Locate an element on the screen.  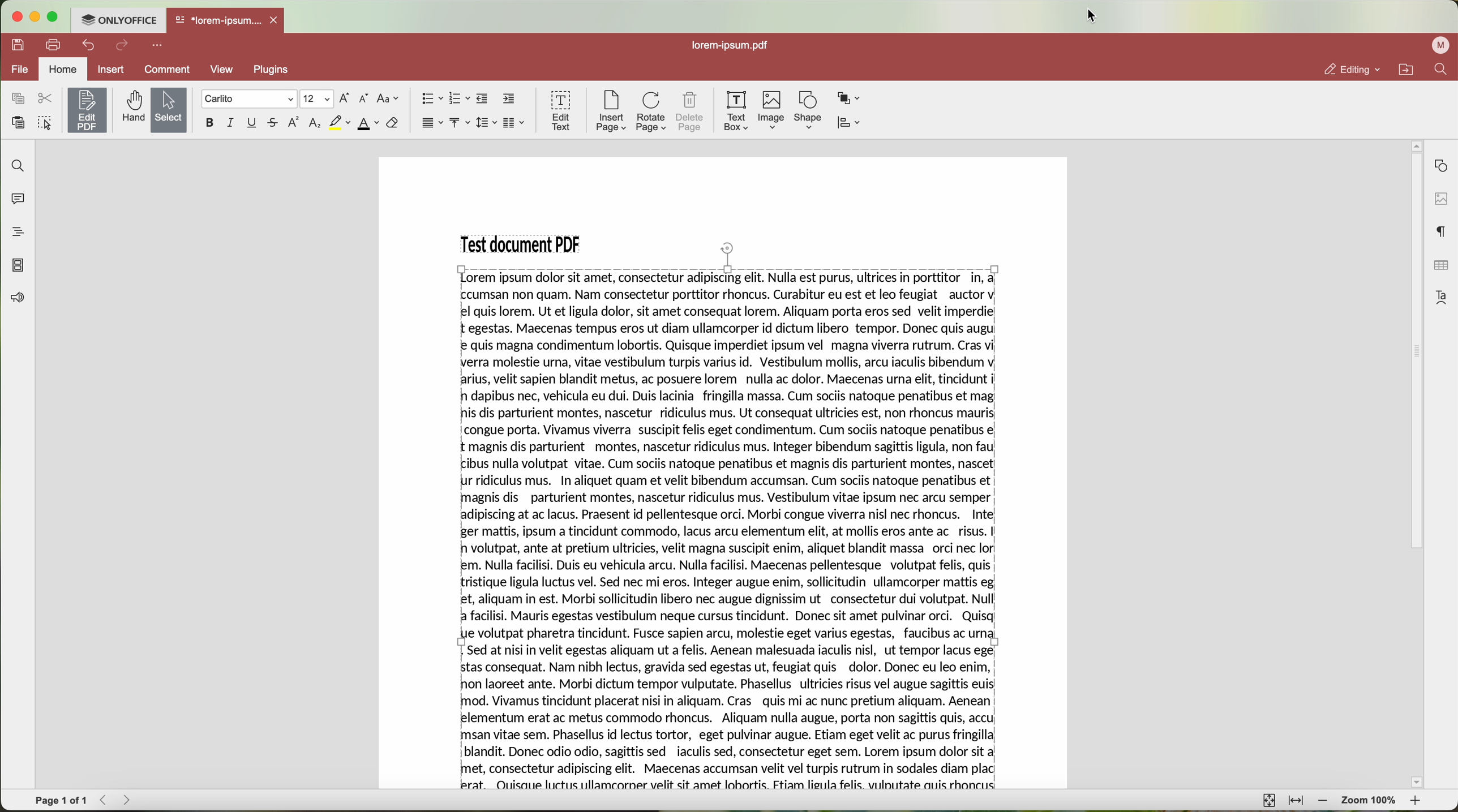
increment font size is located at coordinates (345, 98).